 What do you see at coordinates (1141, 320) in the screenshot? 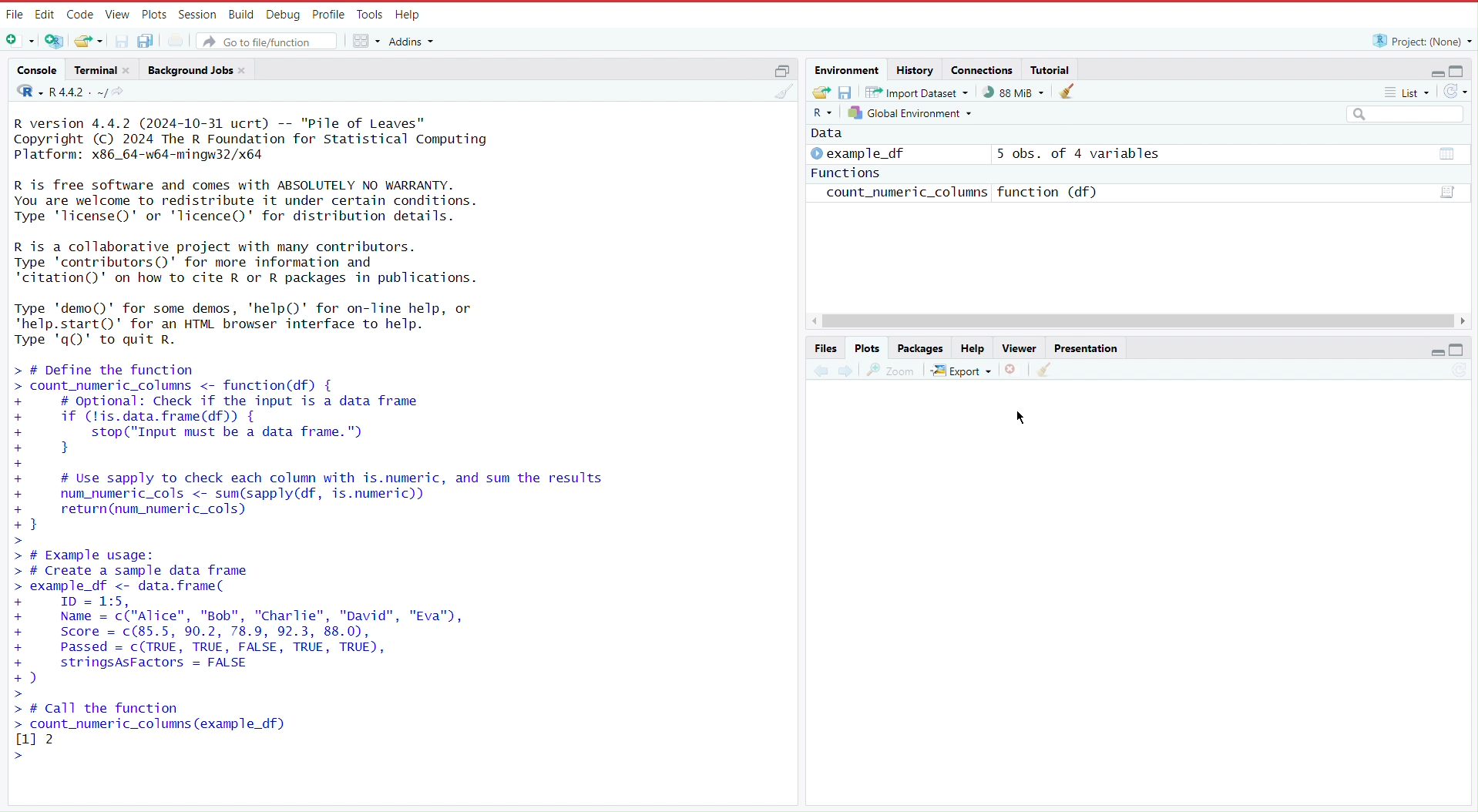
I see `Scrollbar` at bounding box center [1141, 320].